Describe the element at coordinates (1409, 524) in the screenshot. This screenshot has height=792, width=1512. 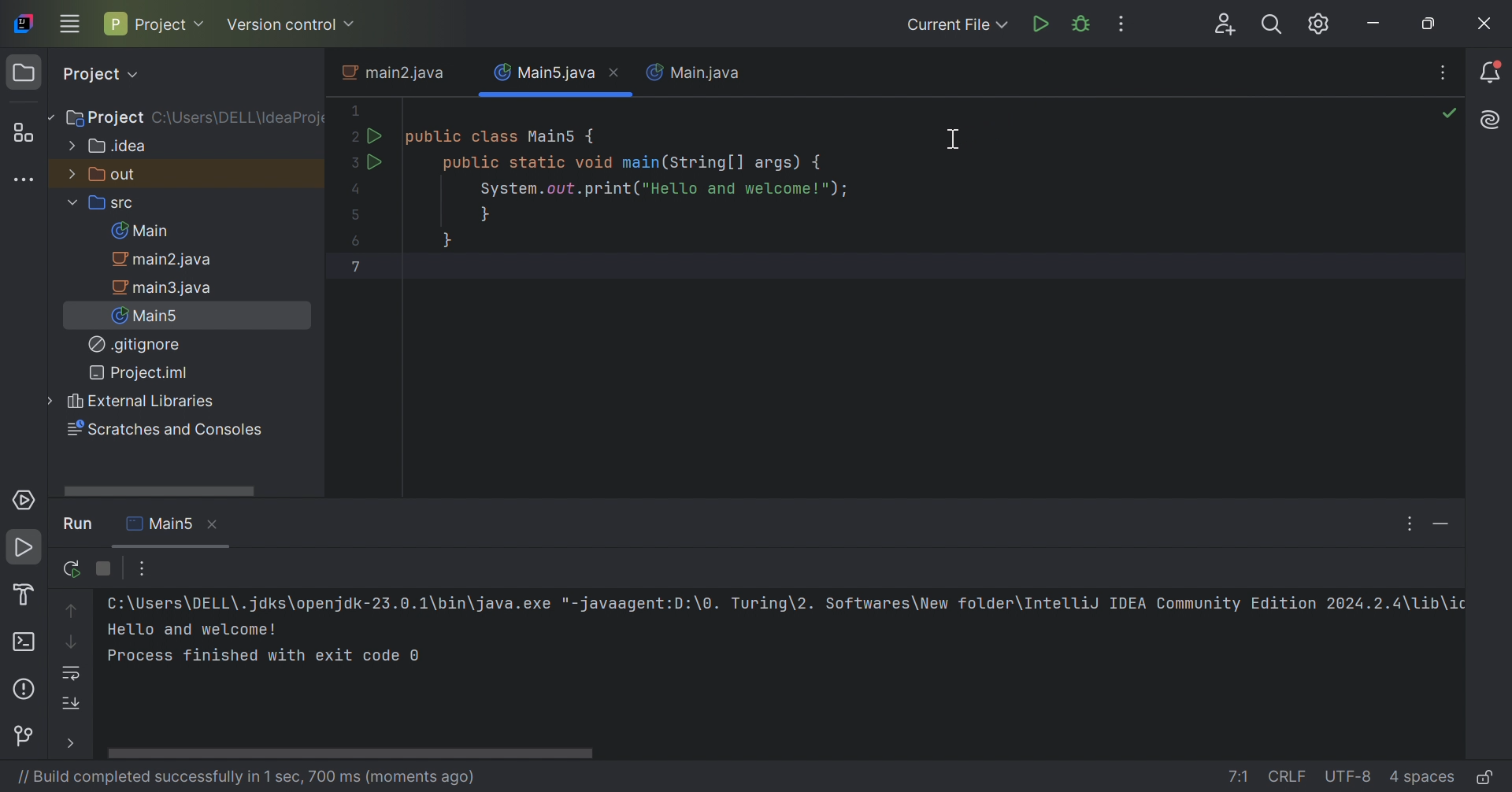
I see `Options` at that location.